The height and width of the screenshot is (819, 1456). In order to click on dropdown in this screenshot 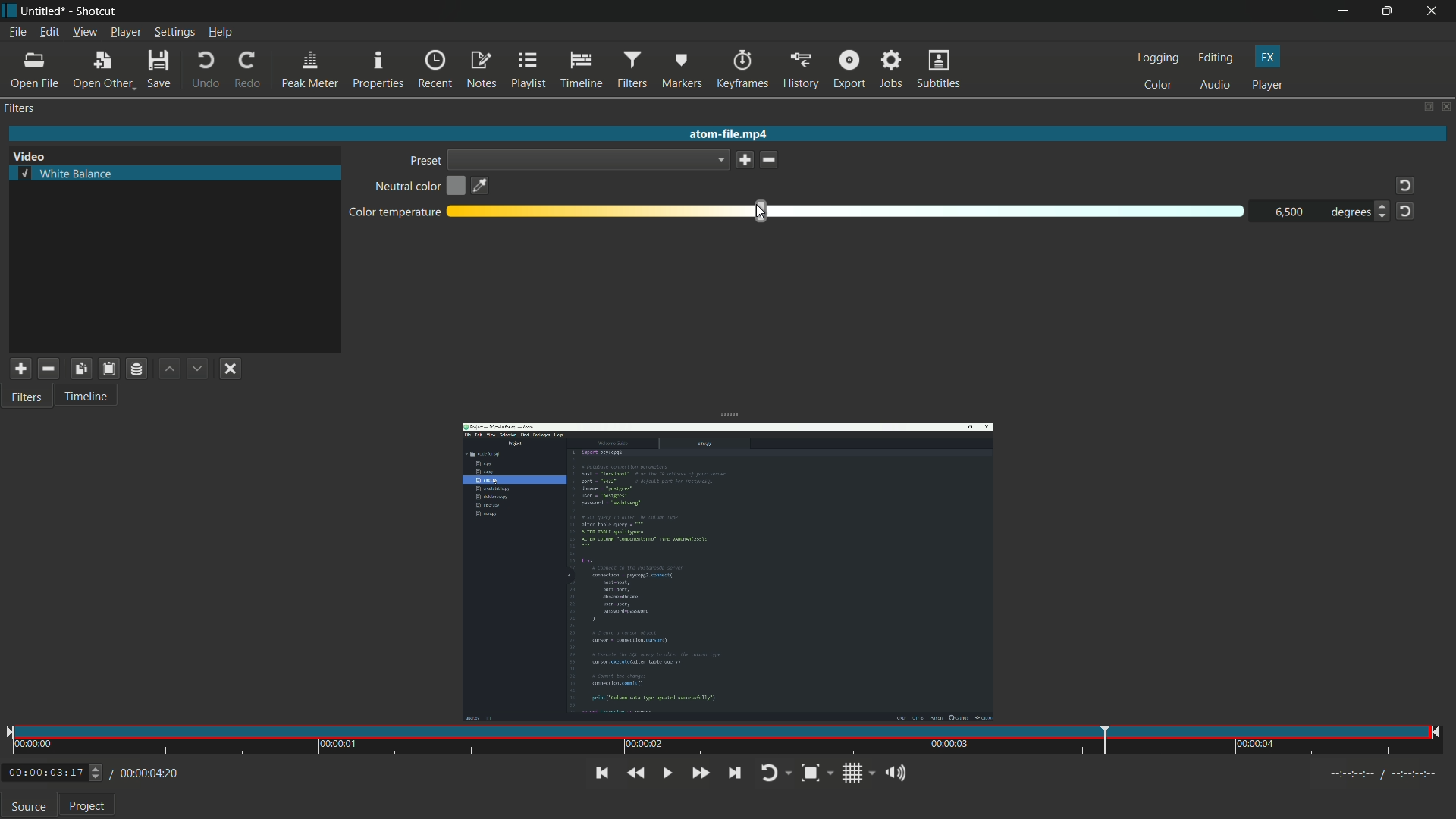, I will do `click(589, 159)`.